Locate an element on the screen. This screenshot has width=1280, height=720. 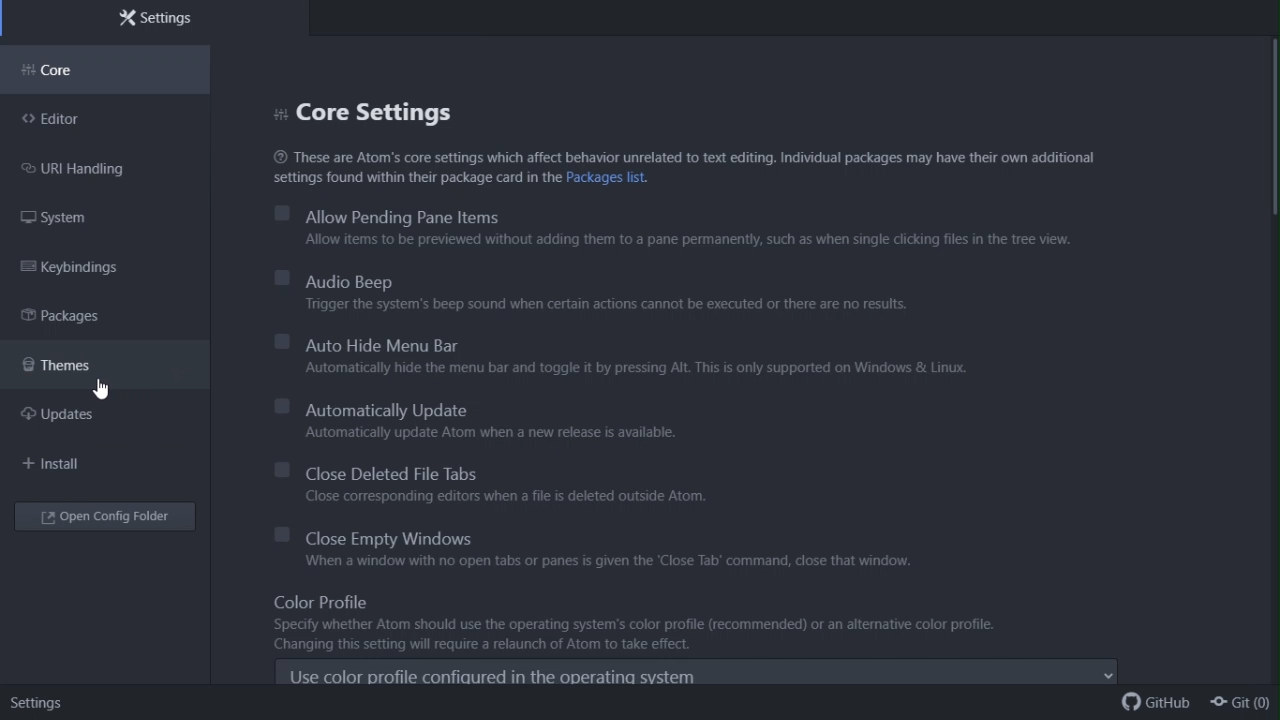
hyperlink is located at coordinates (607, 178).